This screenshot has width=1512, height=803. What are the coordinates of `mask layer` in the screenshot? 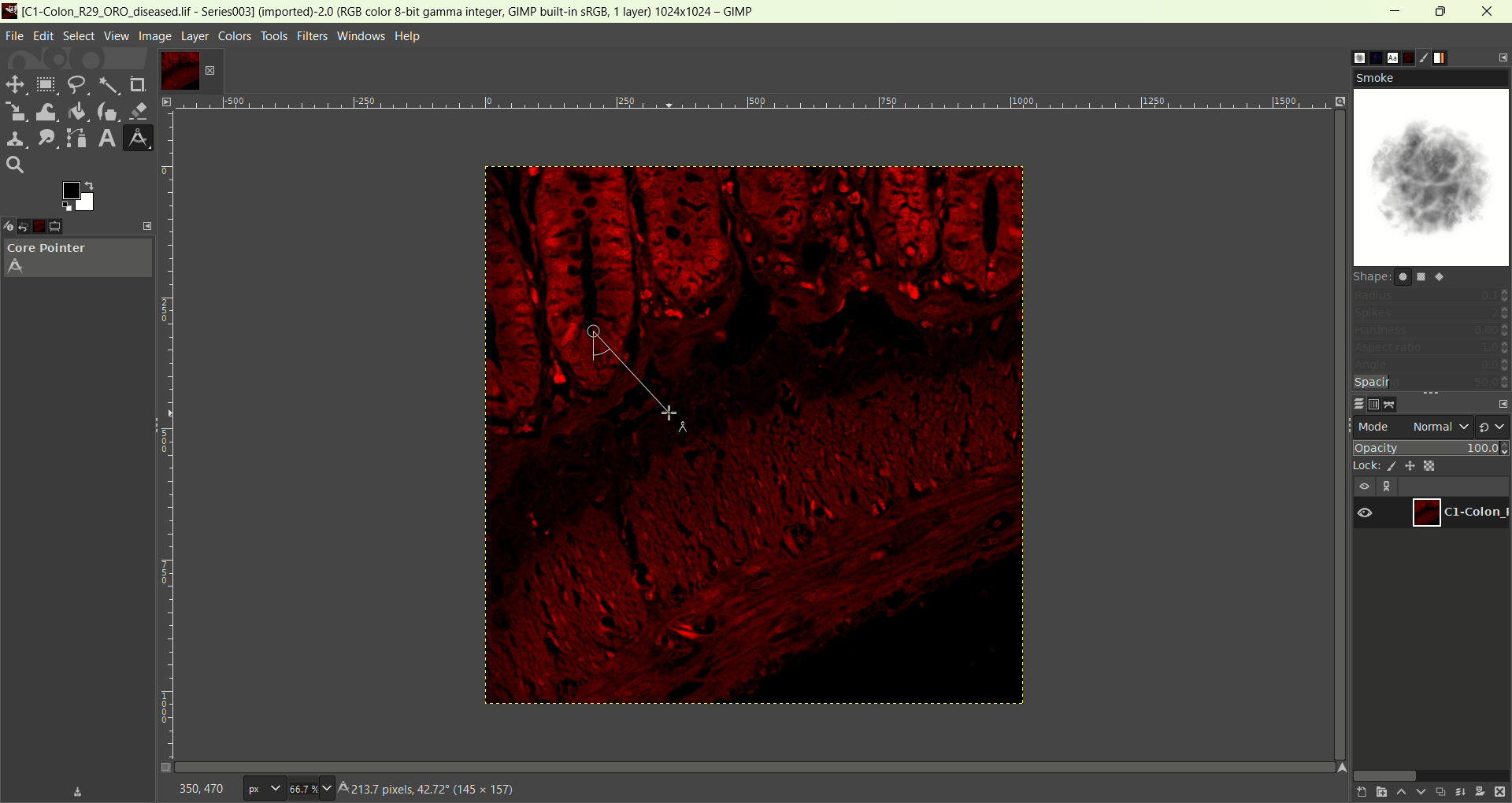 It's located at (1480, 793).